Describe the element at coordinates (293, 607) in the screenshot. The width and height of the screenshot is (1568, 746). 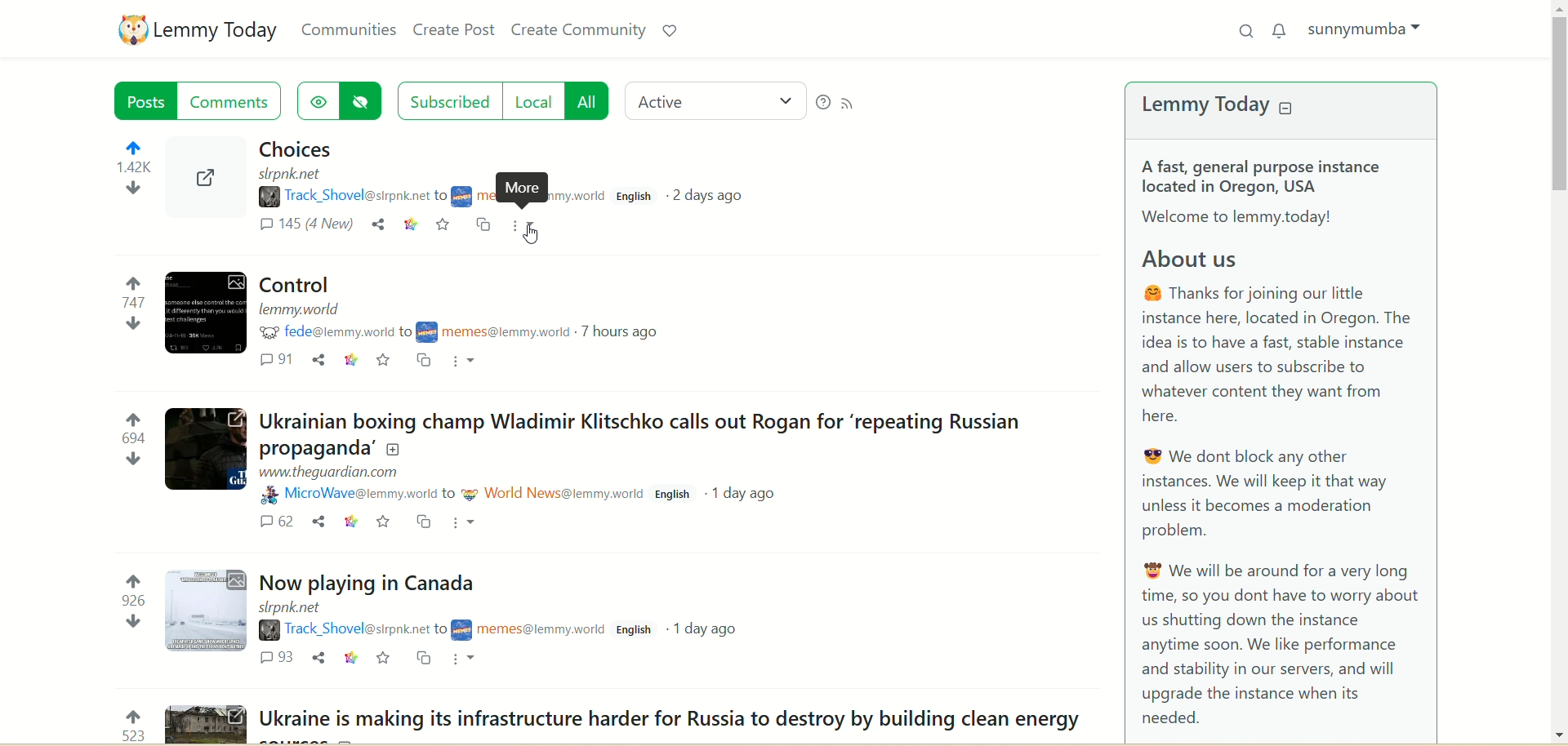
I see `URL` at that location.